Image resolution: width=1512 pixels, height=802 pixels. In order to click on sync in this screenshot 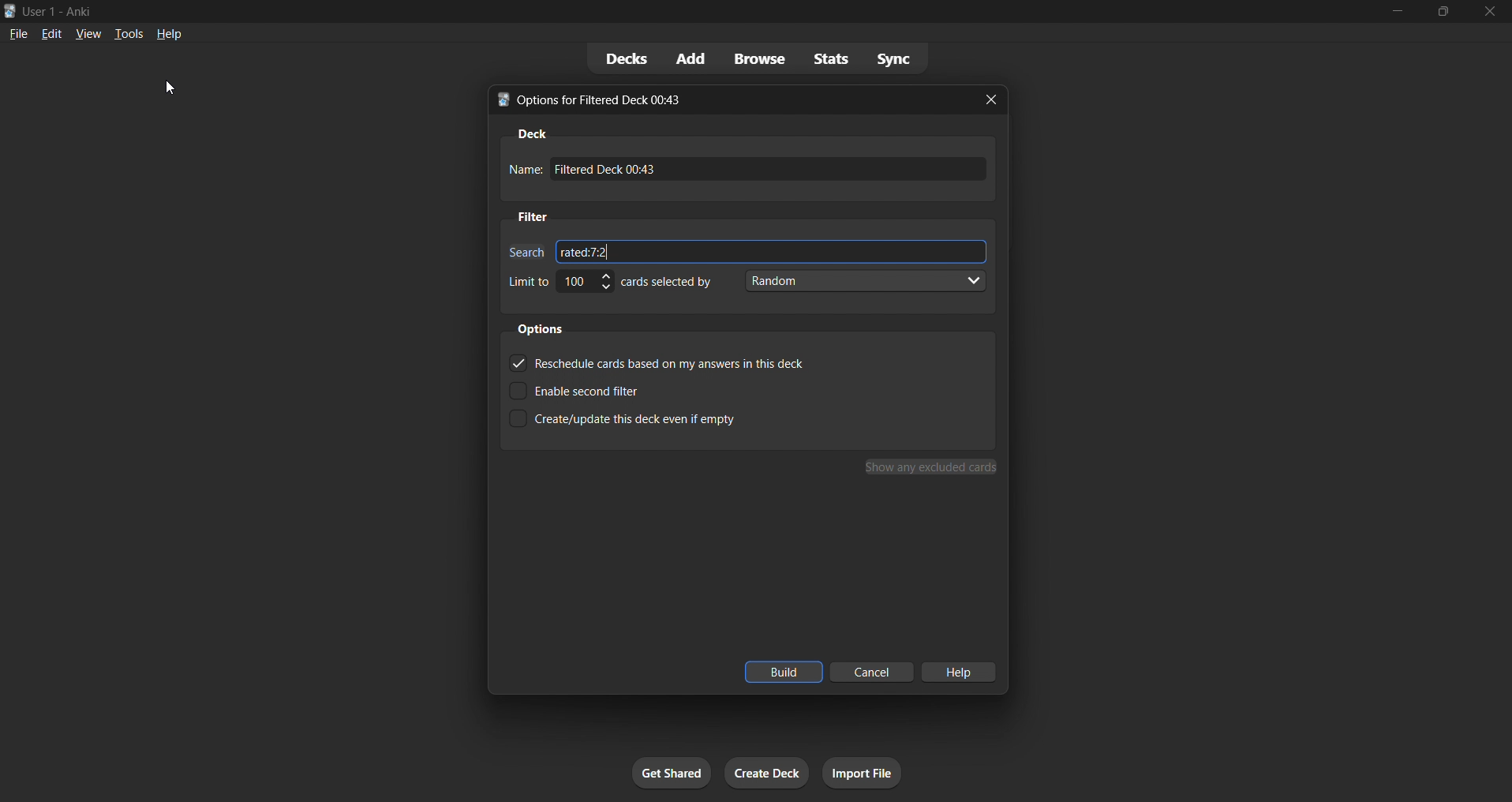, I will do `click(896, 57)`.